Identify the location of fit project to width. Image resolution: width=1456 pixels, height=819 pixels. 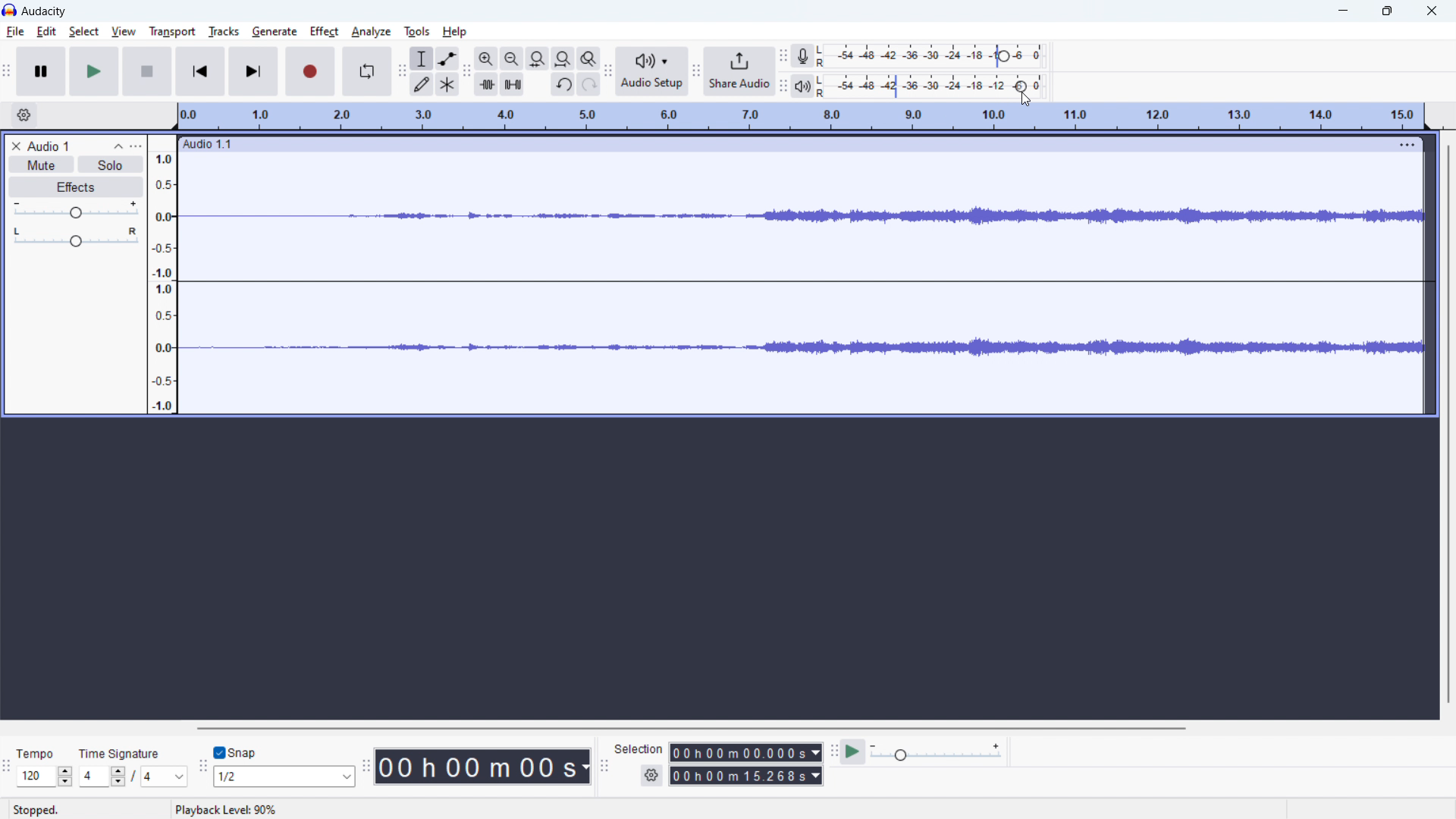
(562, 58).